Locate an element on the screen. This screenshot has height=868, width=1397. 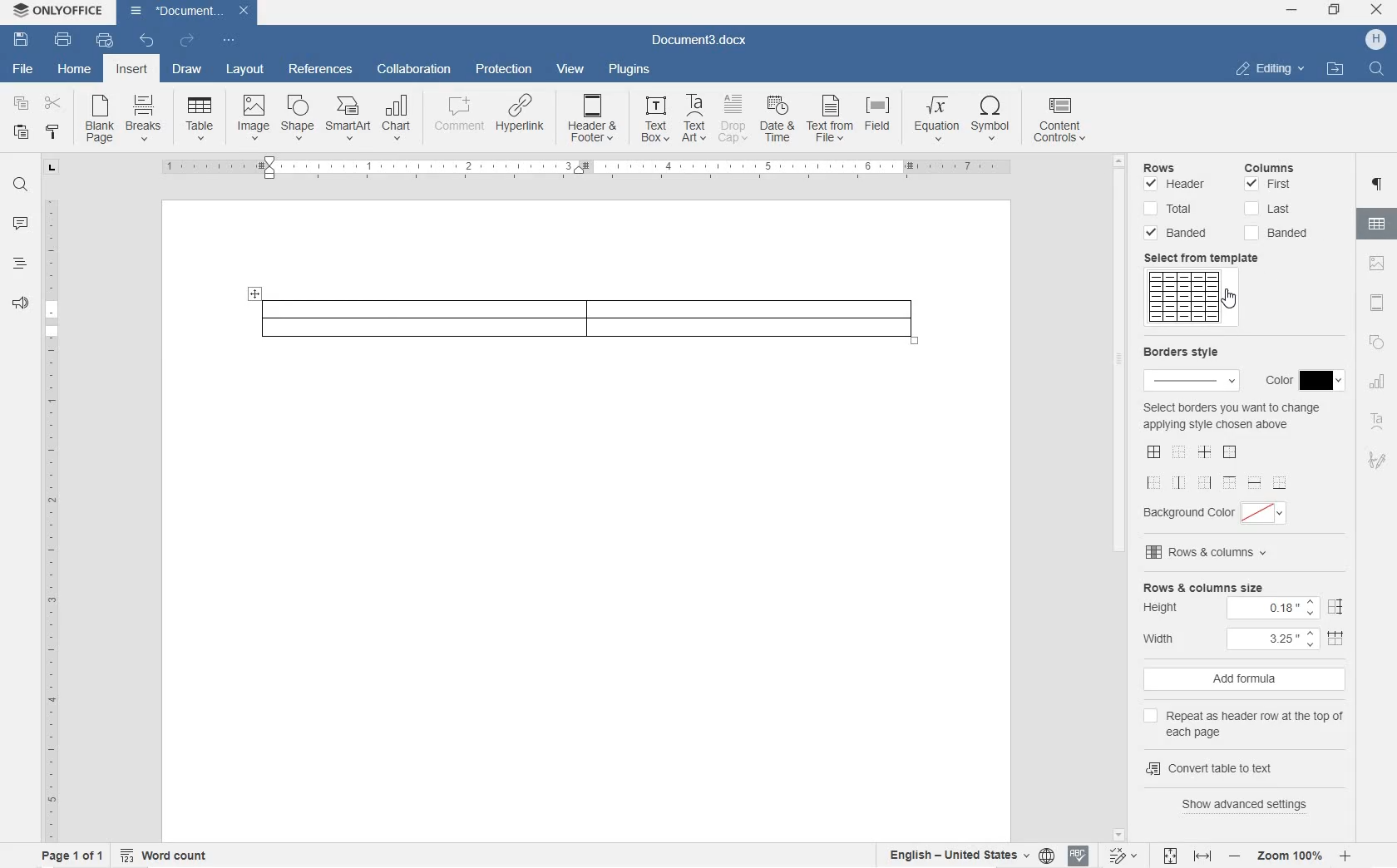
comment is located at coordinates (456, 118).